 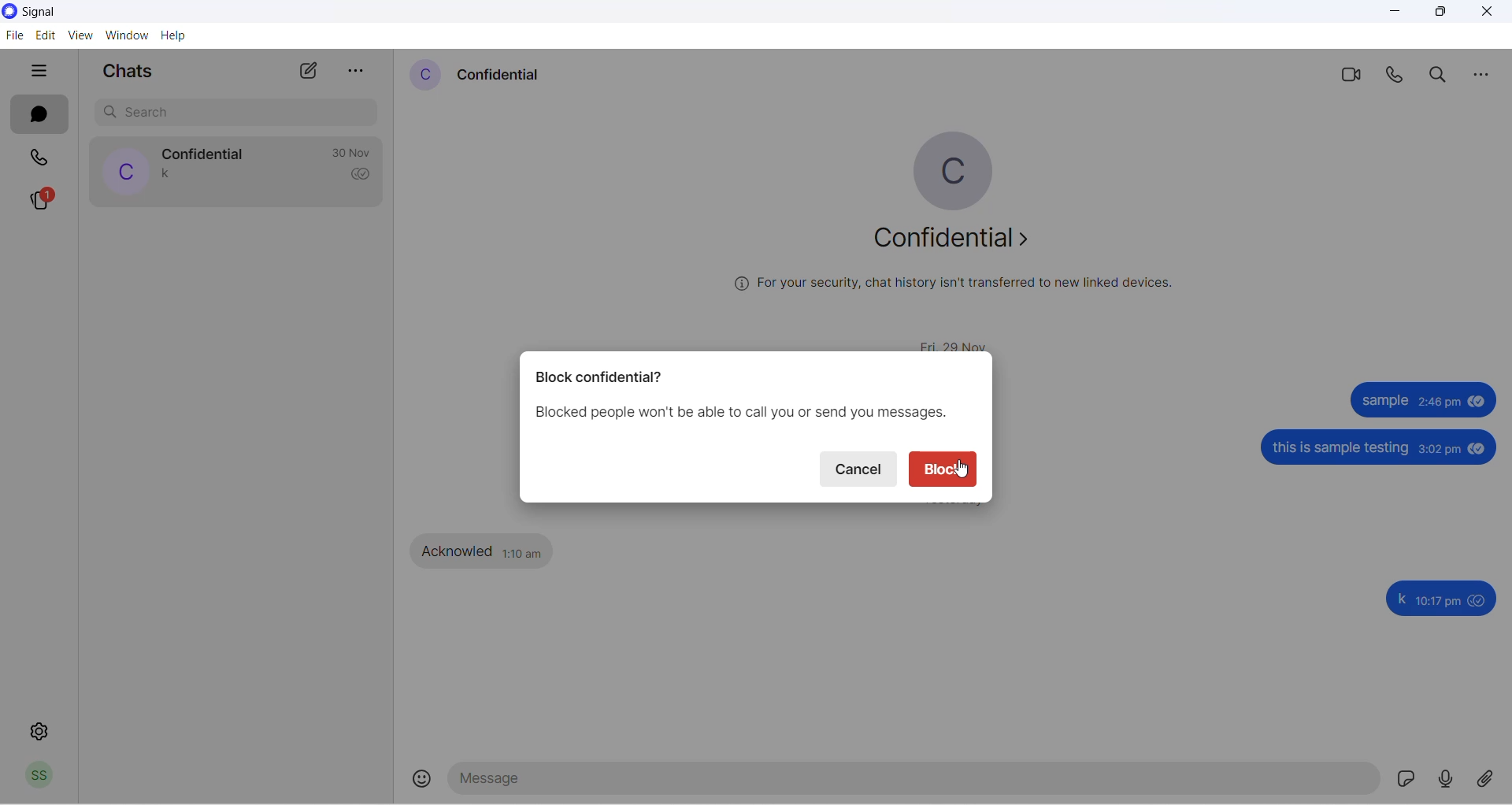 What do you see at coordinates (1440, 599) in the screenshot?
I see `10:17 pm` at bounding box center [1440, 599].